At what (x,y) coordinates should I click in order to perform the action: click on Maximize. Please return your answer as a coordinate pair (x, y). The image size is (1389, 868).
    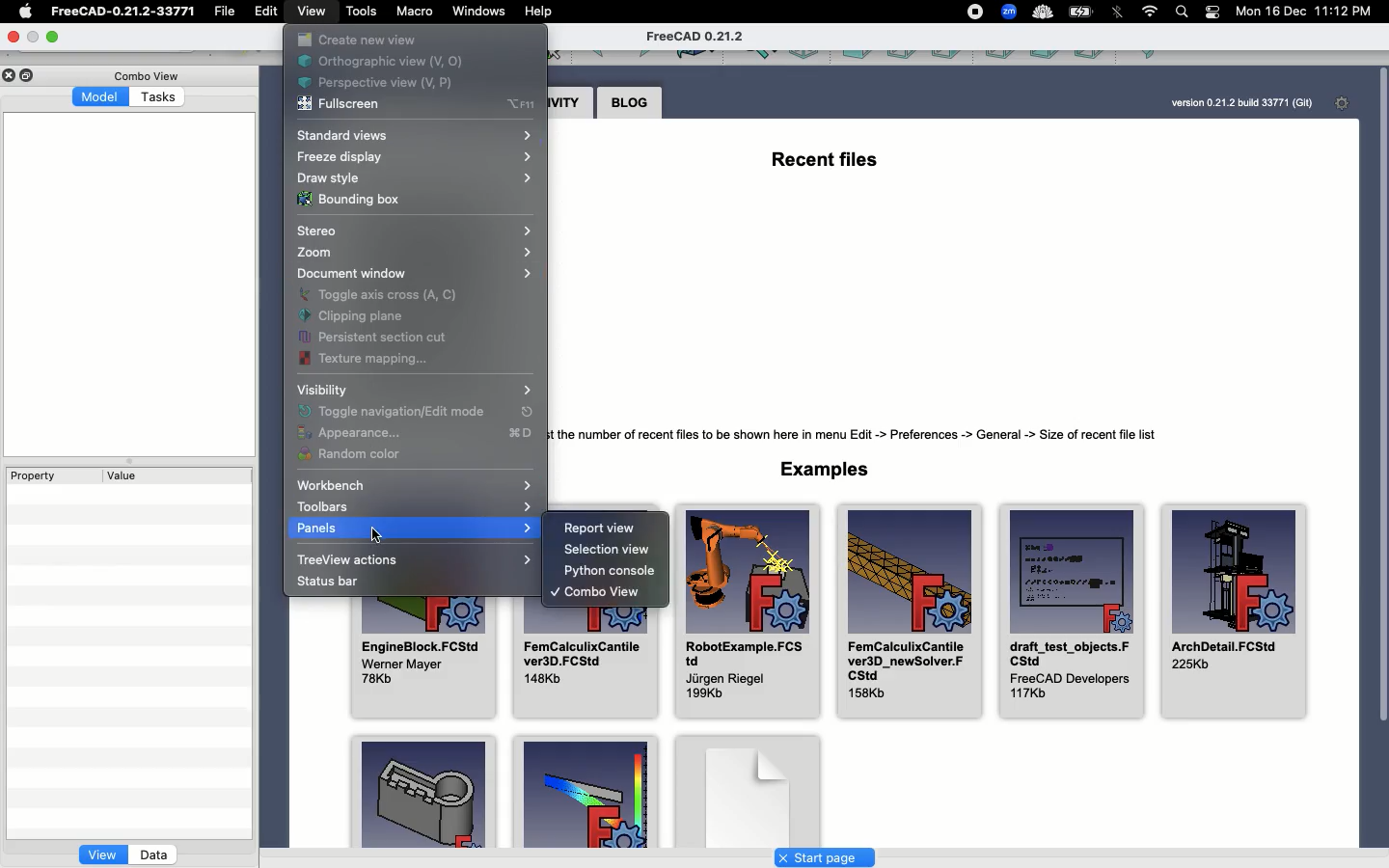
    Looking at the image, I should click on (53, 36).